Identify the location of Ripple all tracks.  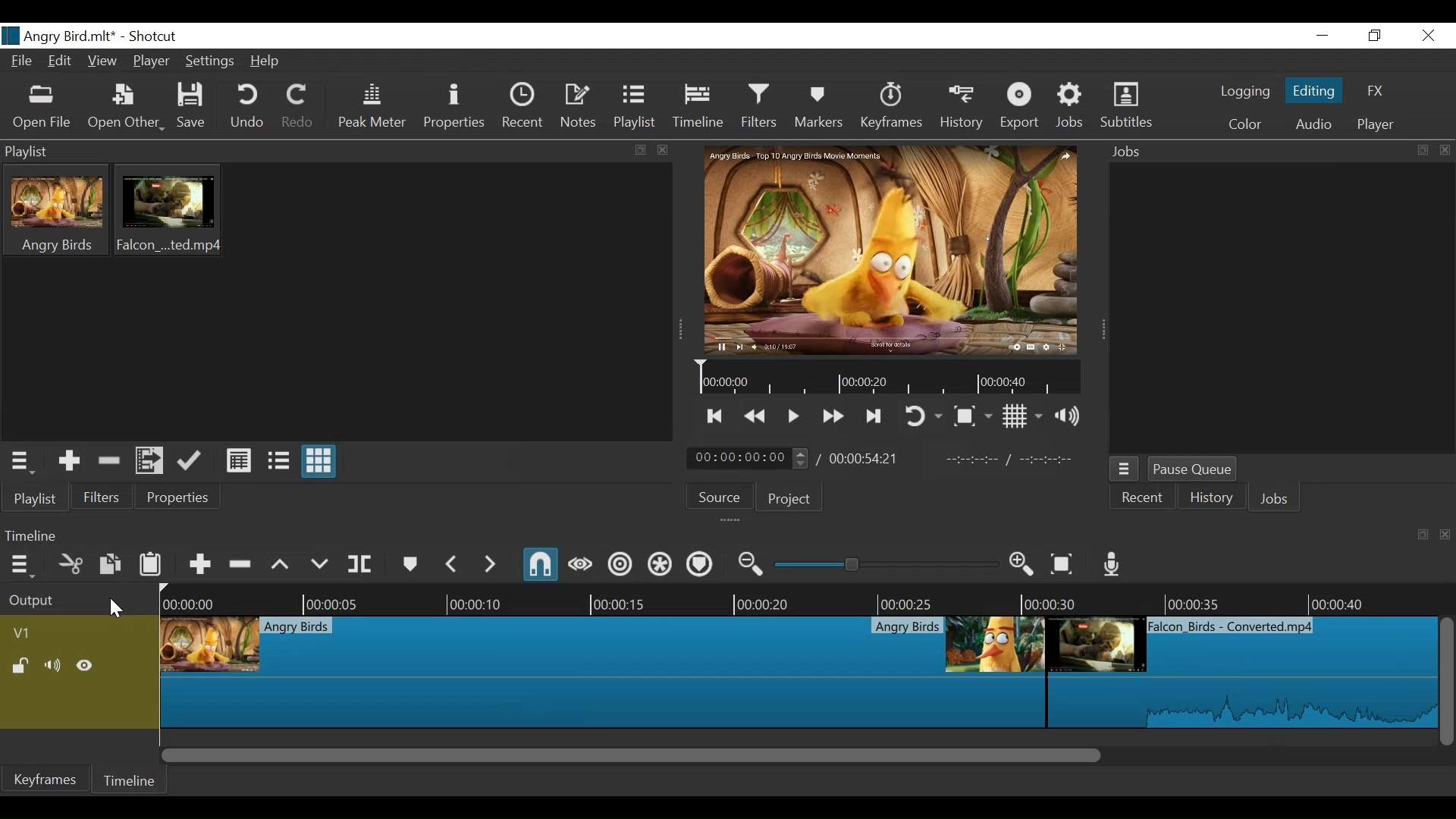
(657, 565).